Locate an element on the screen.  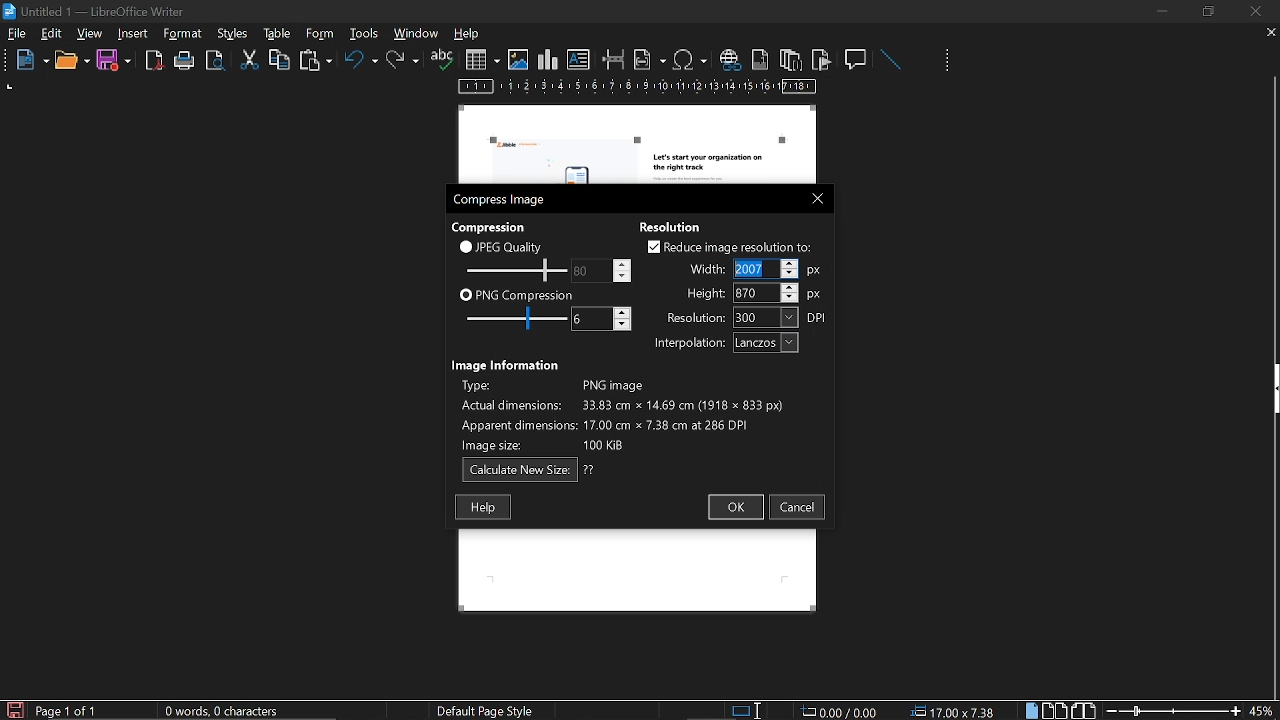
png compression is located at coordinates (517, 294).